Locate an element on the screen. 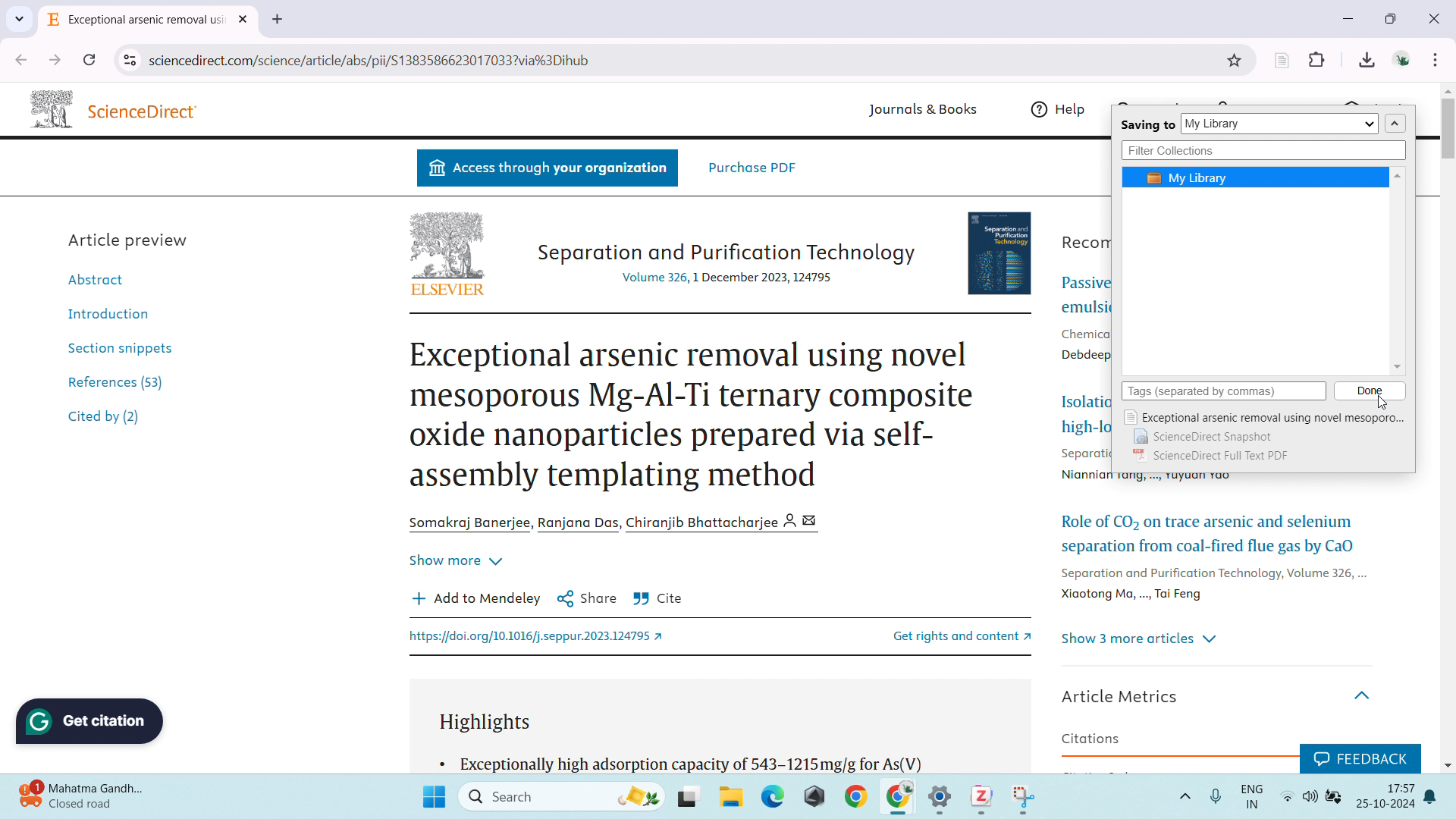  Role of CO2 on trace arsenic and selenium separation from coal-fired flue gas by CaO is located at coordinates (1210, 531).